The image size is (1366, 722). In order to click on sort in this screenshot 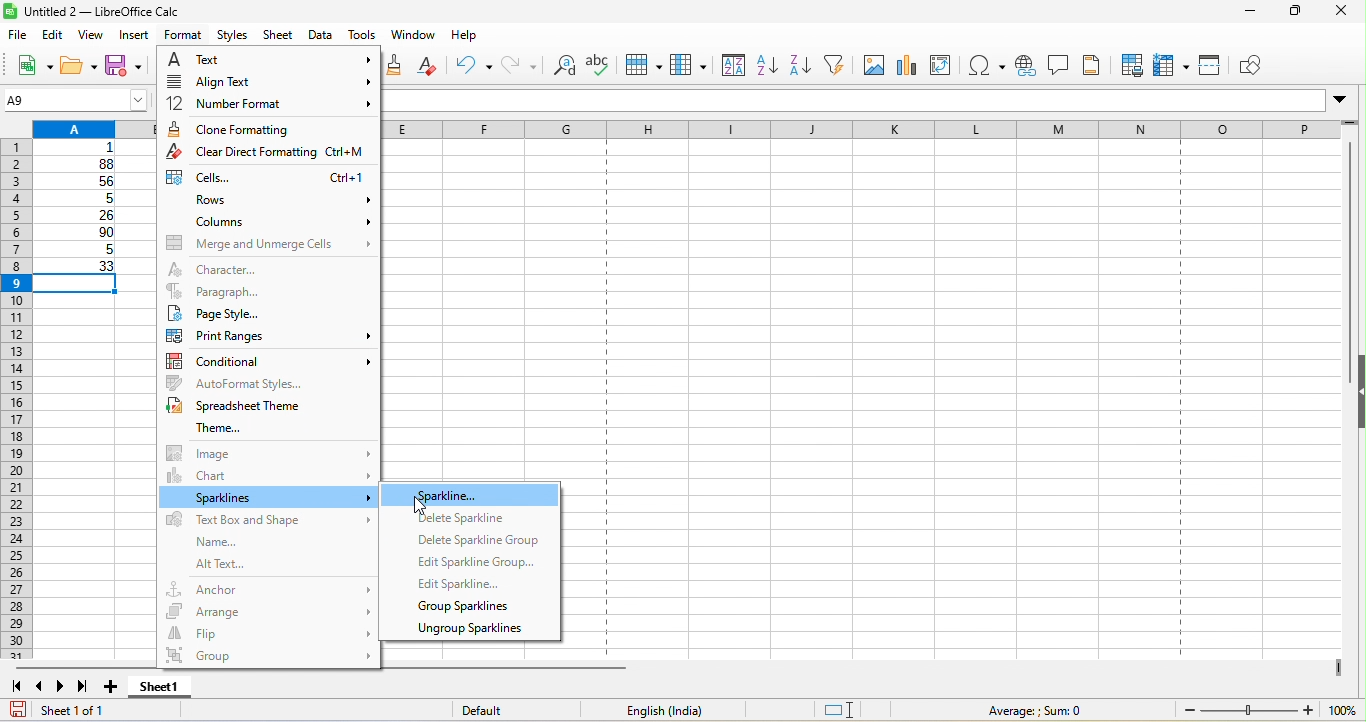, I will do `click(730, 67)`.